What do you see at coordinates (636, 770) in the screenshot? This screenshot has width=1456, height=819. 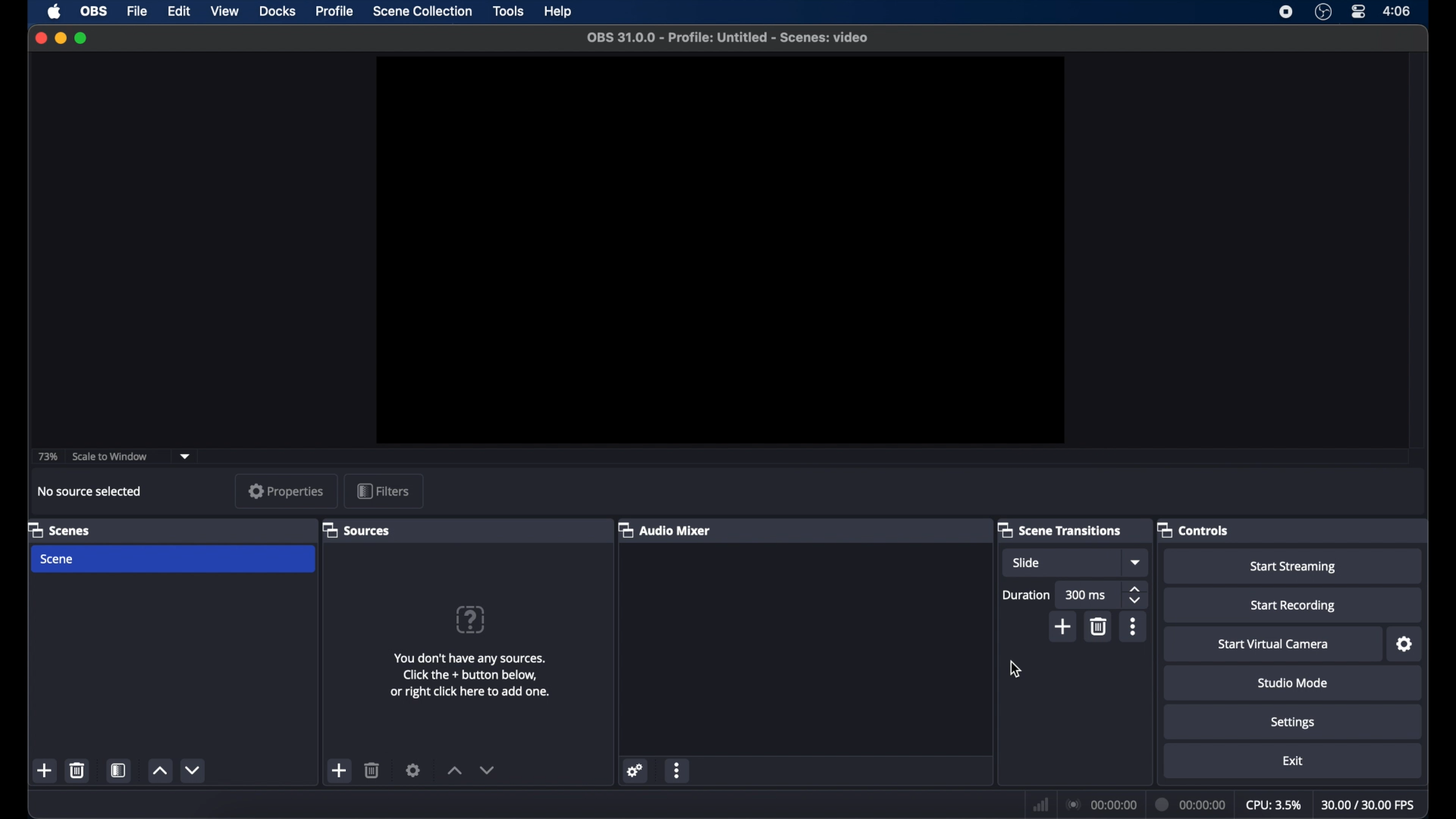 I see `settings` at bounding box center [636, 770].